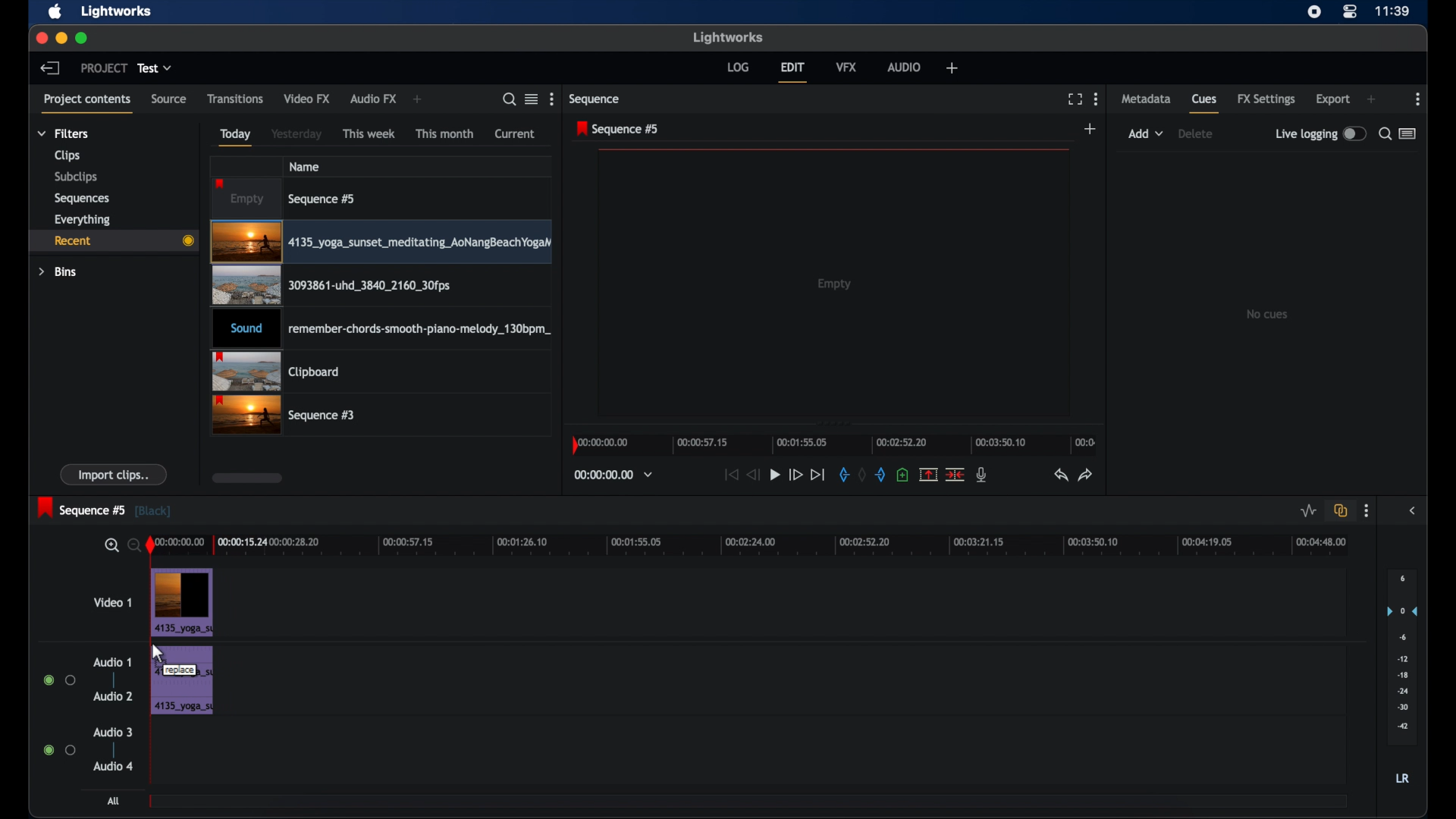 This screenshot has width=1456, height=819. Describe the element at coordinates (183, 682) in the screenshot. I see `audio clip` at that location.